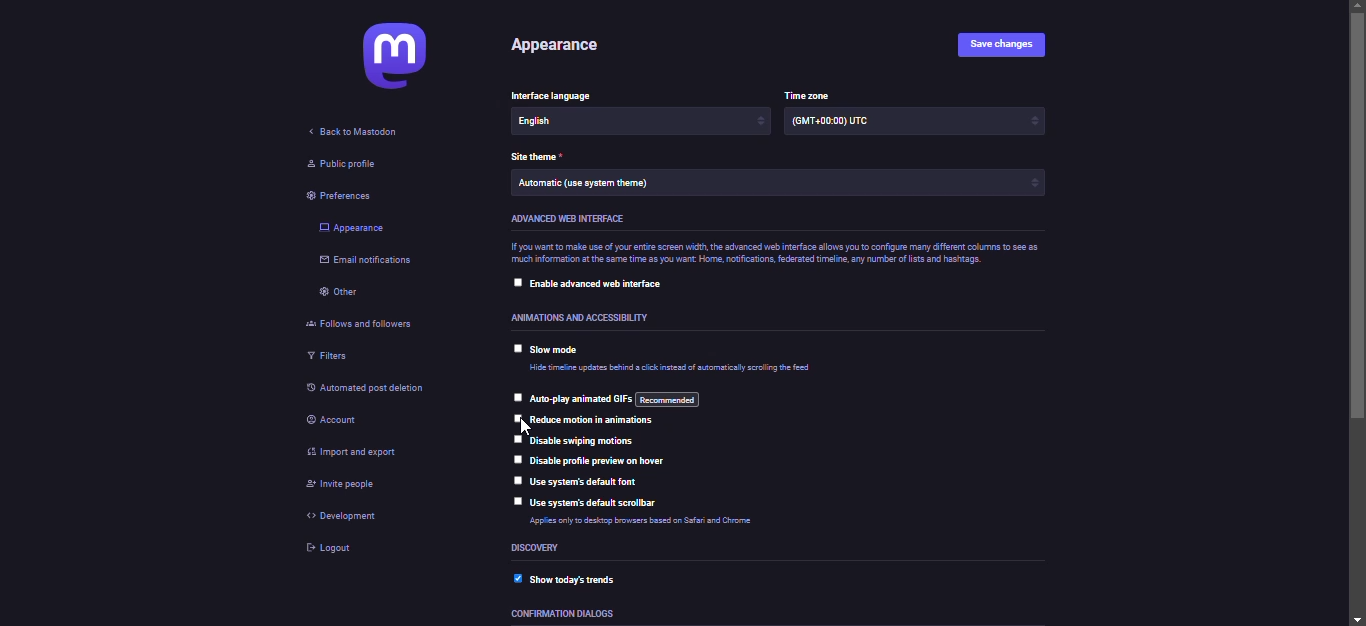  I want to click on accessibility, so click(582, 318).